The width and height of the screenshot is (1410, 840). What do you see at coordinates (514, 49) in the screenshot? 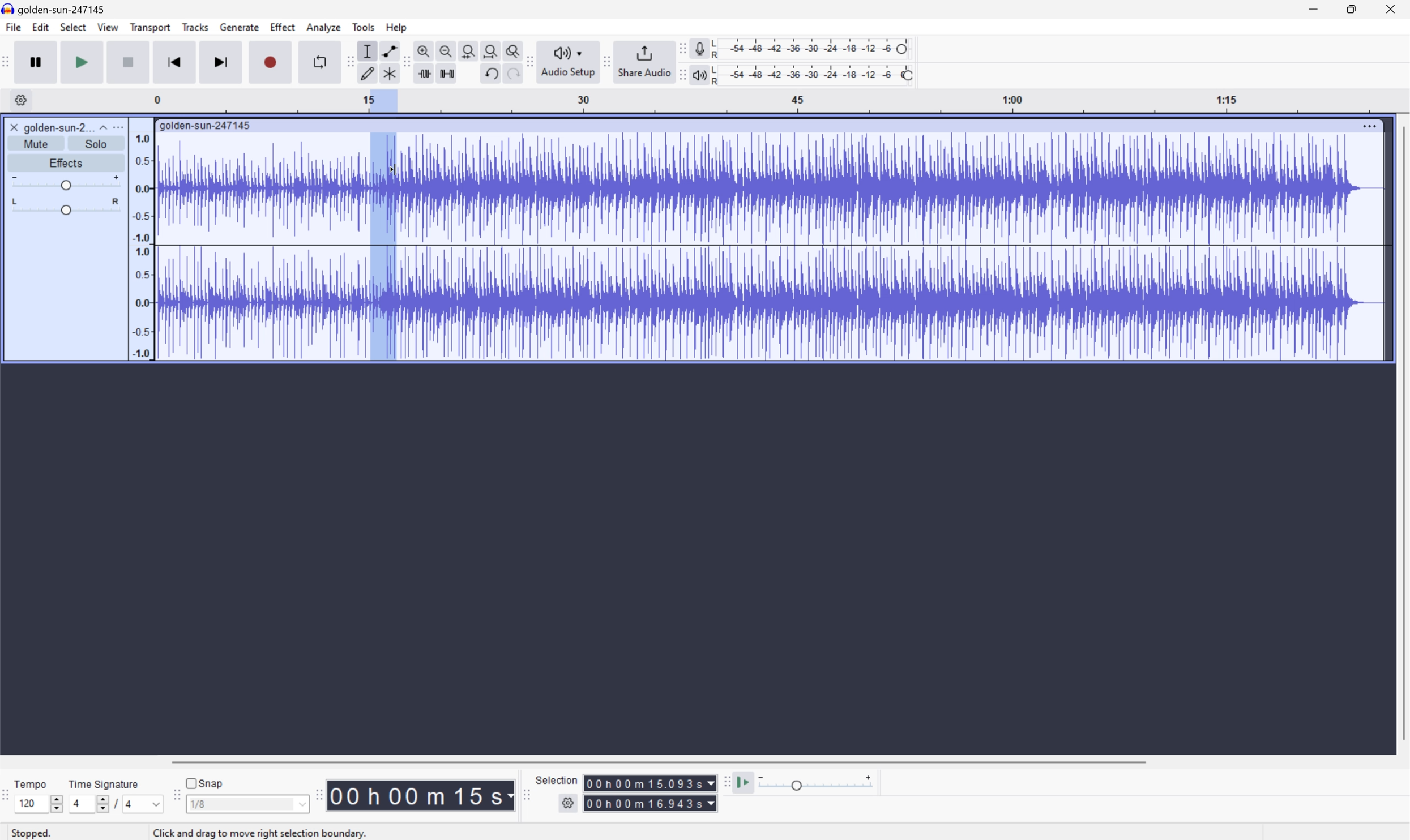
I see `Zoom toggle` at bounding box center [514, 49].